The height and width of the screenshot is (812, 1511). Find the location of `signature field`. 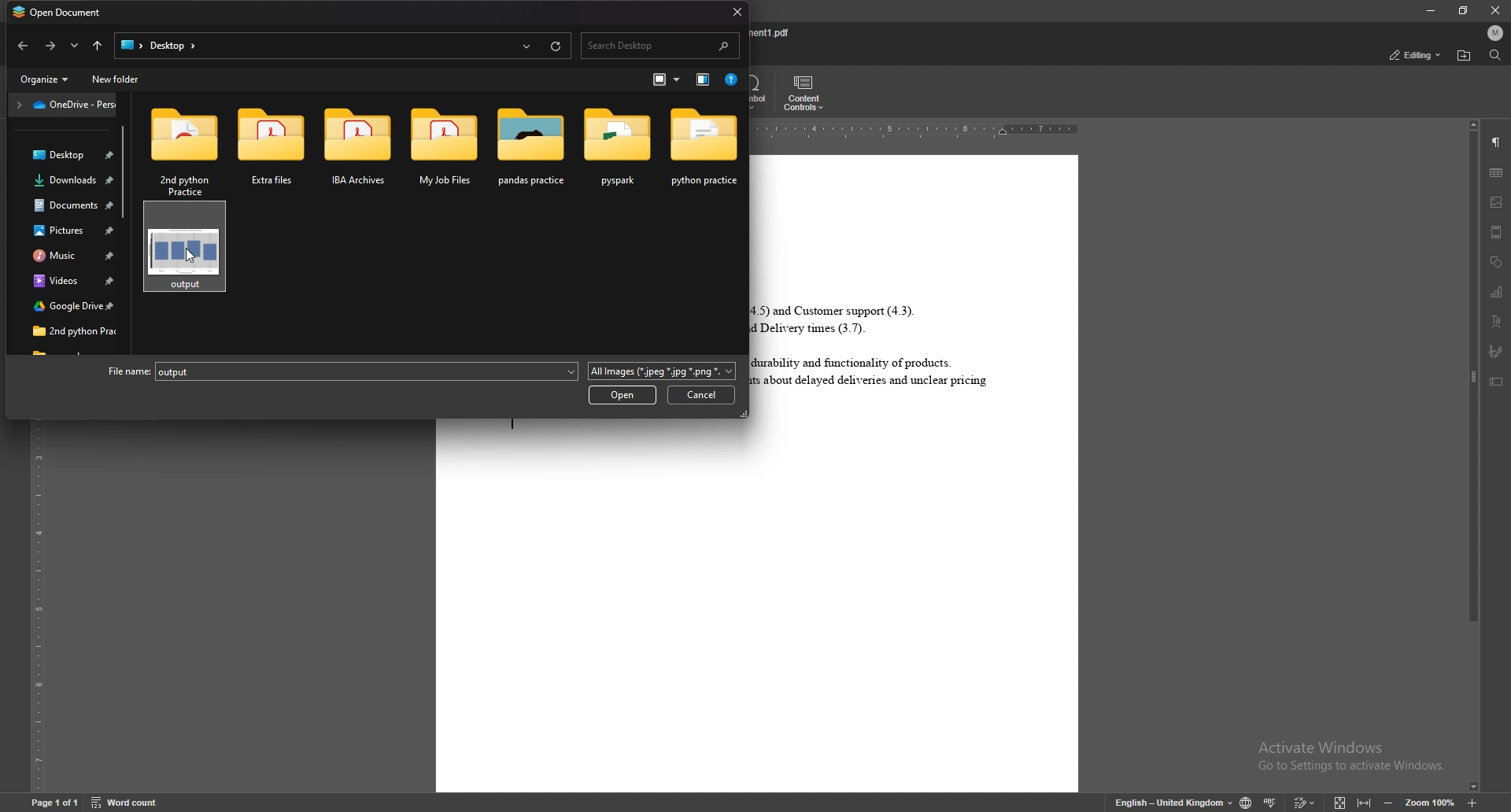

signature field is located at coordinates (1494, 351).